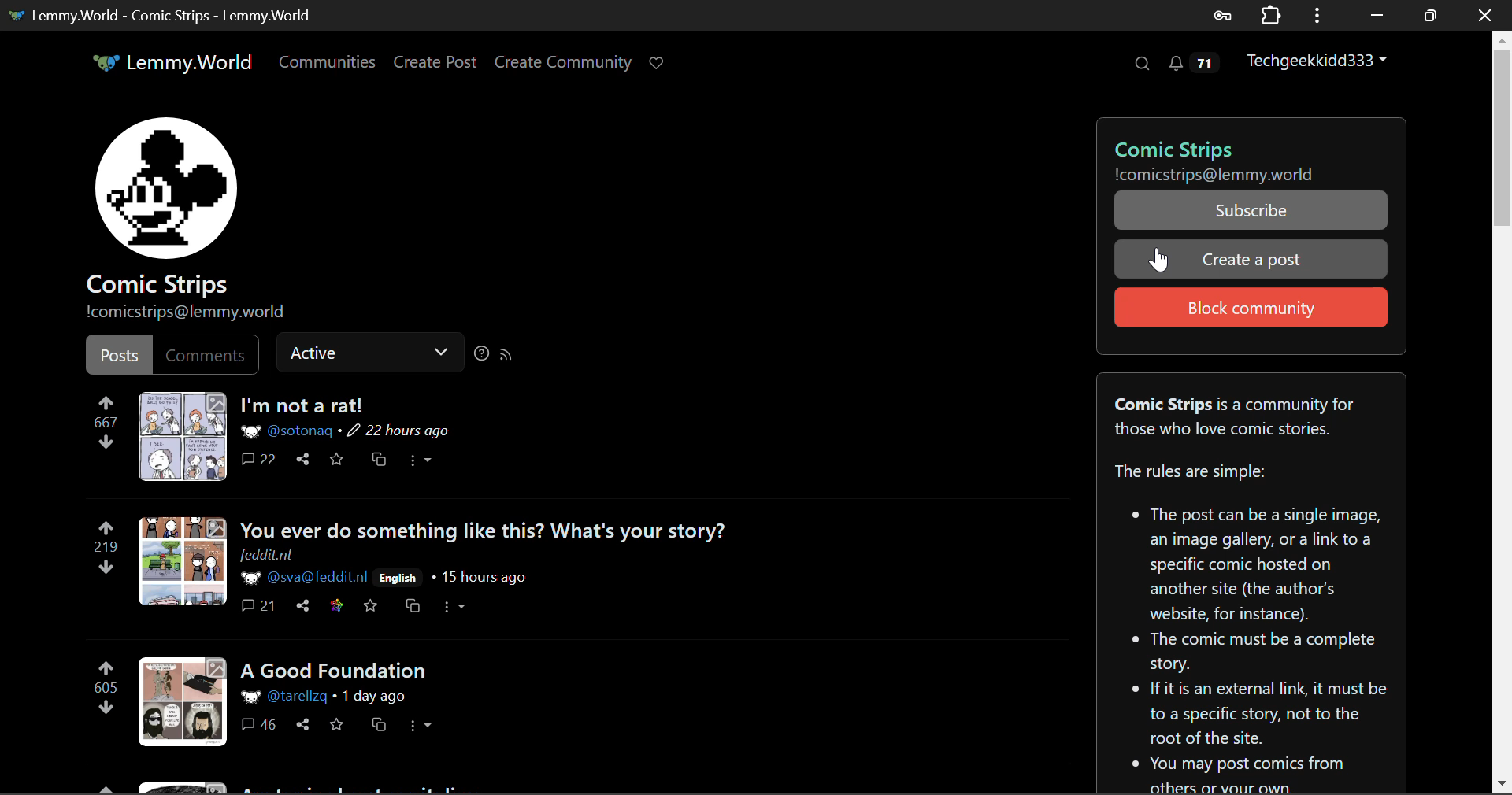 The width and height of the screenshot is (1512, 795). Describe the element at coordinates (104, 423) in the screenshot. I see `667 Upvotes` at that location.